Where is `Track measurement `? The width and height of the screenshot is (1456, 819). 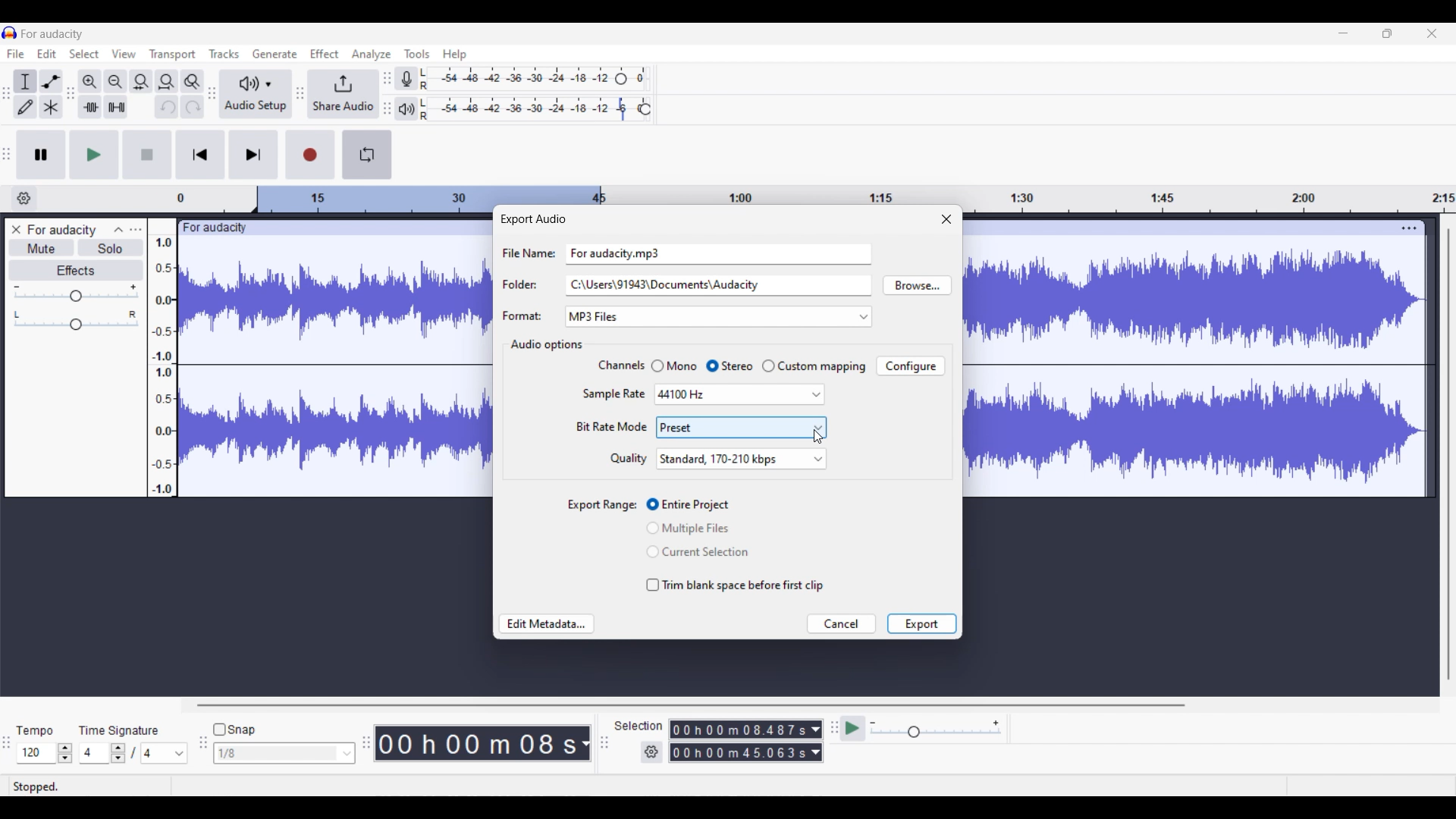
Track measurement  is located at coordinates (584, 743).